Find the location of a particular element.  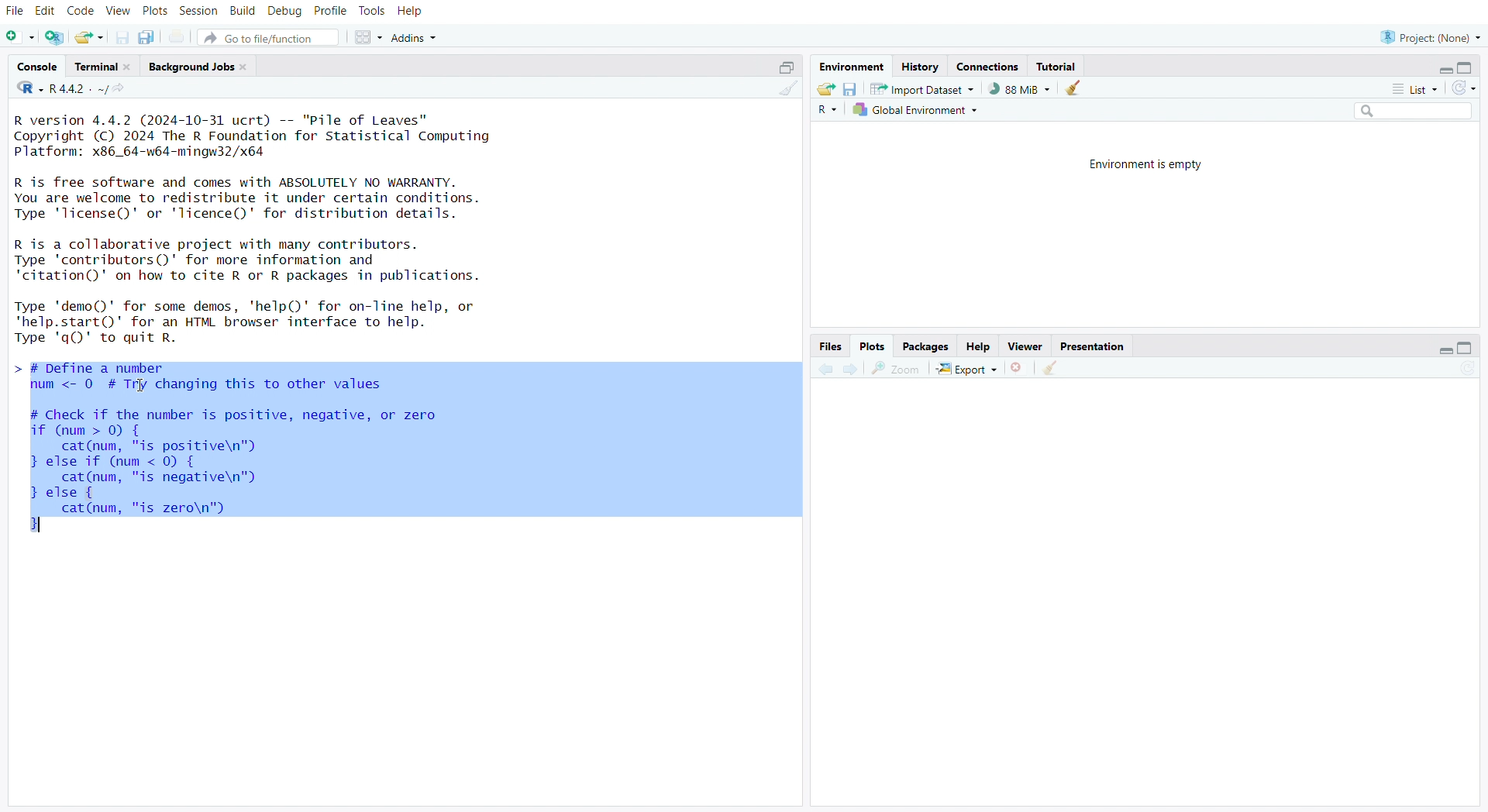

collapse is located at coordinates (1470, 349).